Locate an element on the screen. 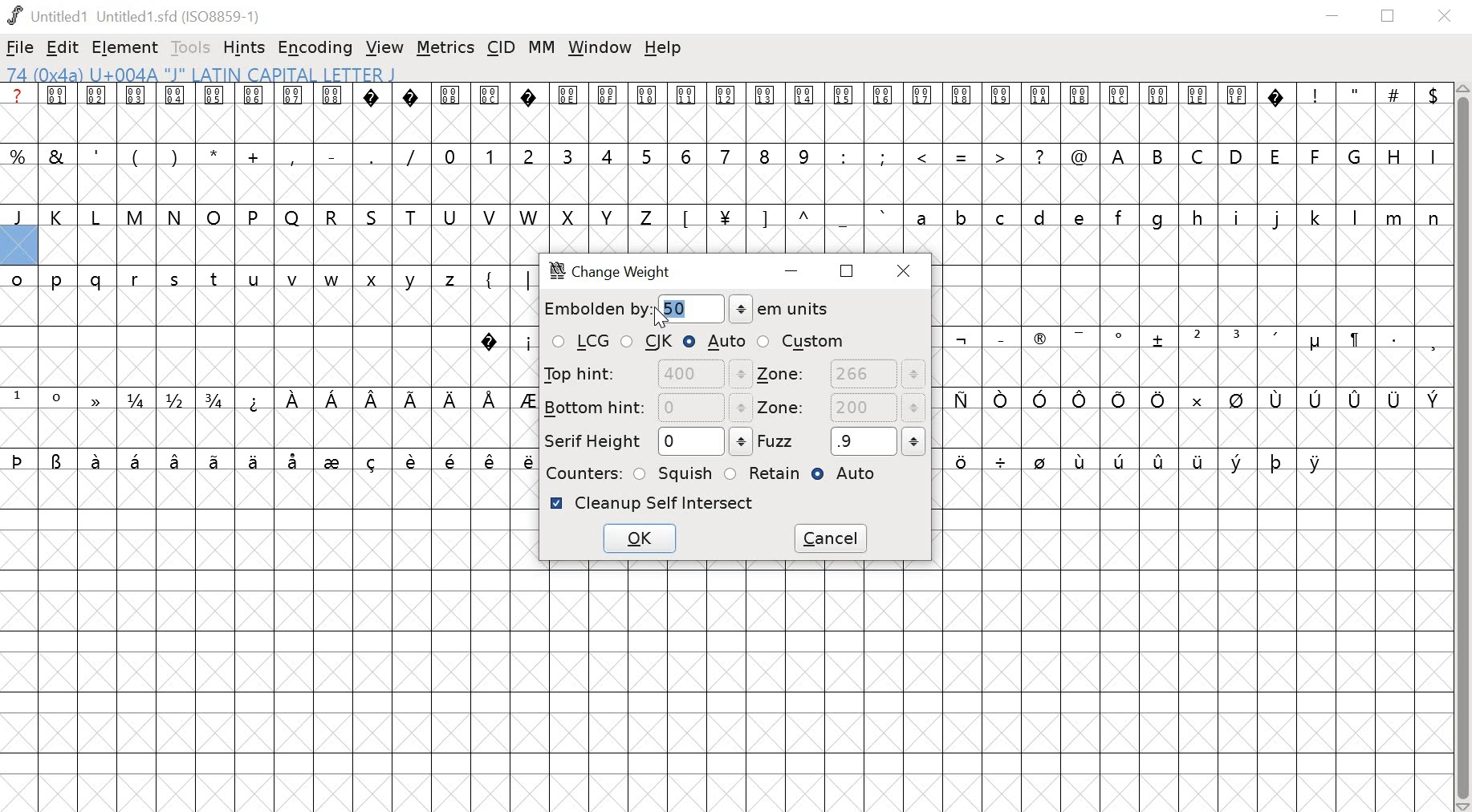 The height and width of the screenshot is (812, 1472). ZONE is located at coordinates (841, 375).